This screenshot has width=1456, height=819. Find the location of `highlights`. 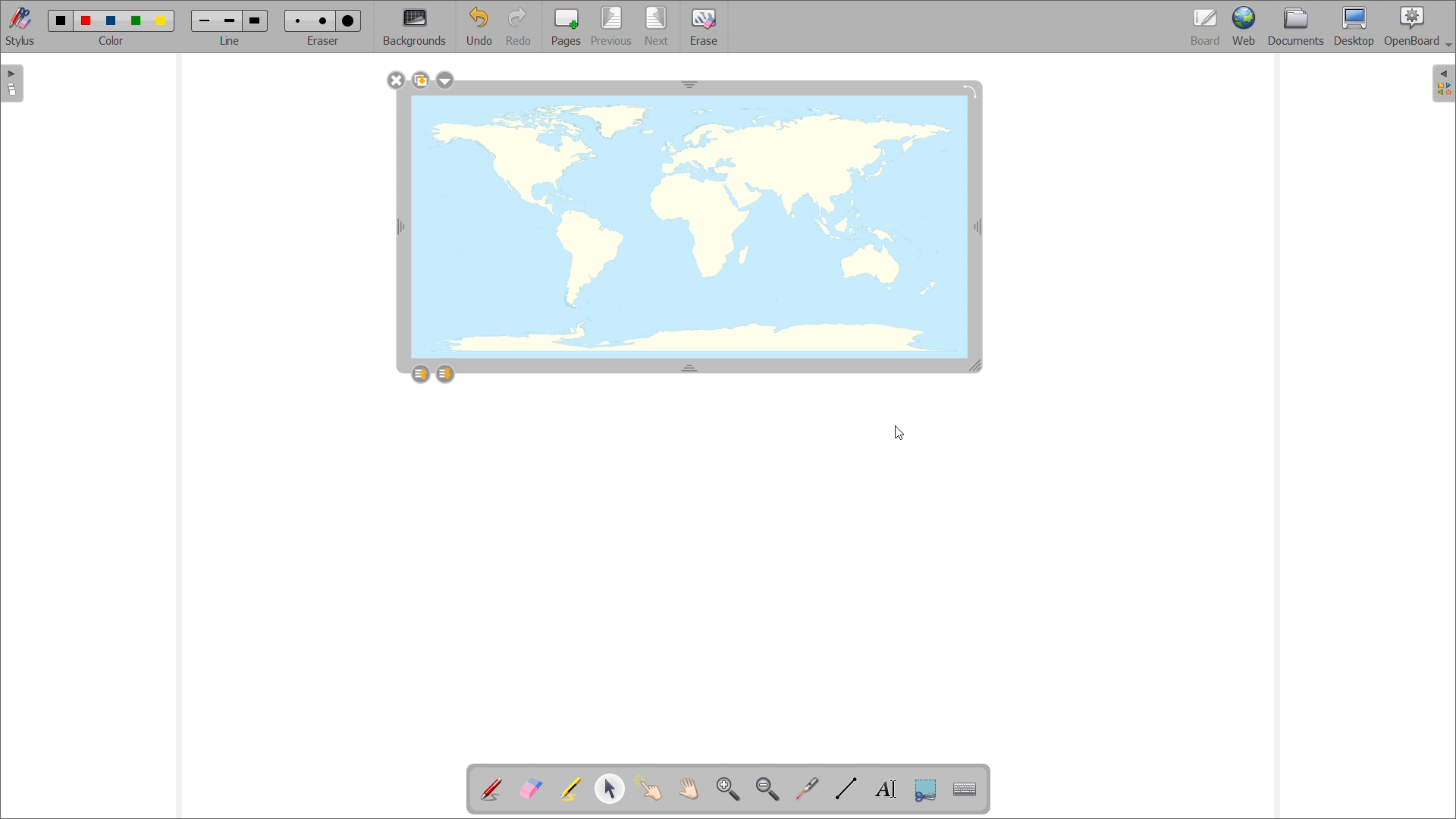

highlights is located at coordinates (570, 790).